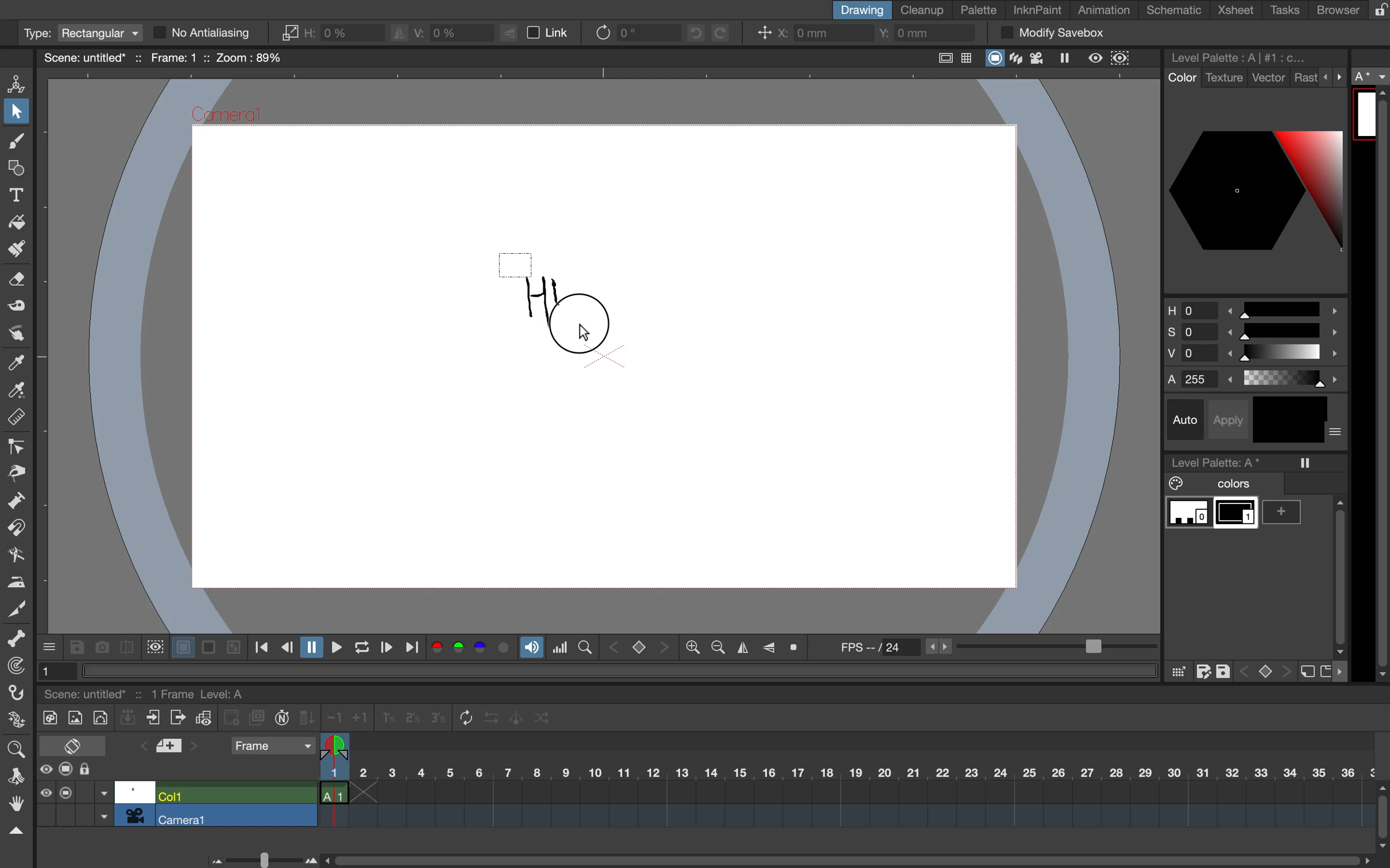 The image size is (1390, 868). Describe the element at coordinates (729, 33) in the screenshot. I see `redo` at that location.